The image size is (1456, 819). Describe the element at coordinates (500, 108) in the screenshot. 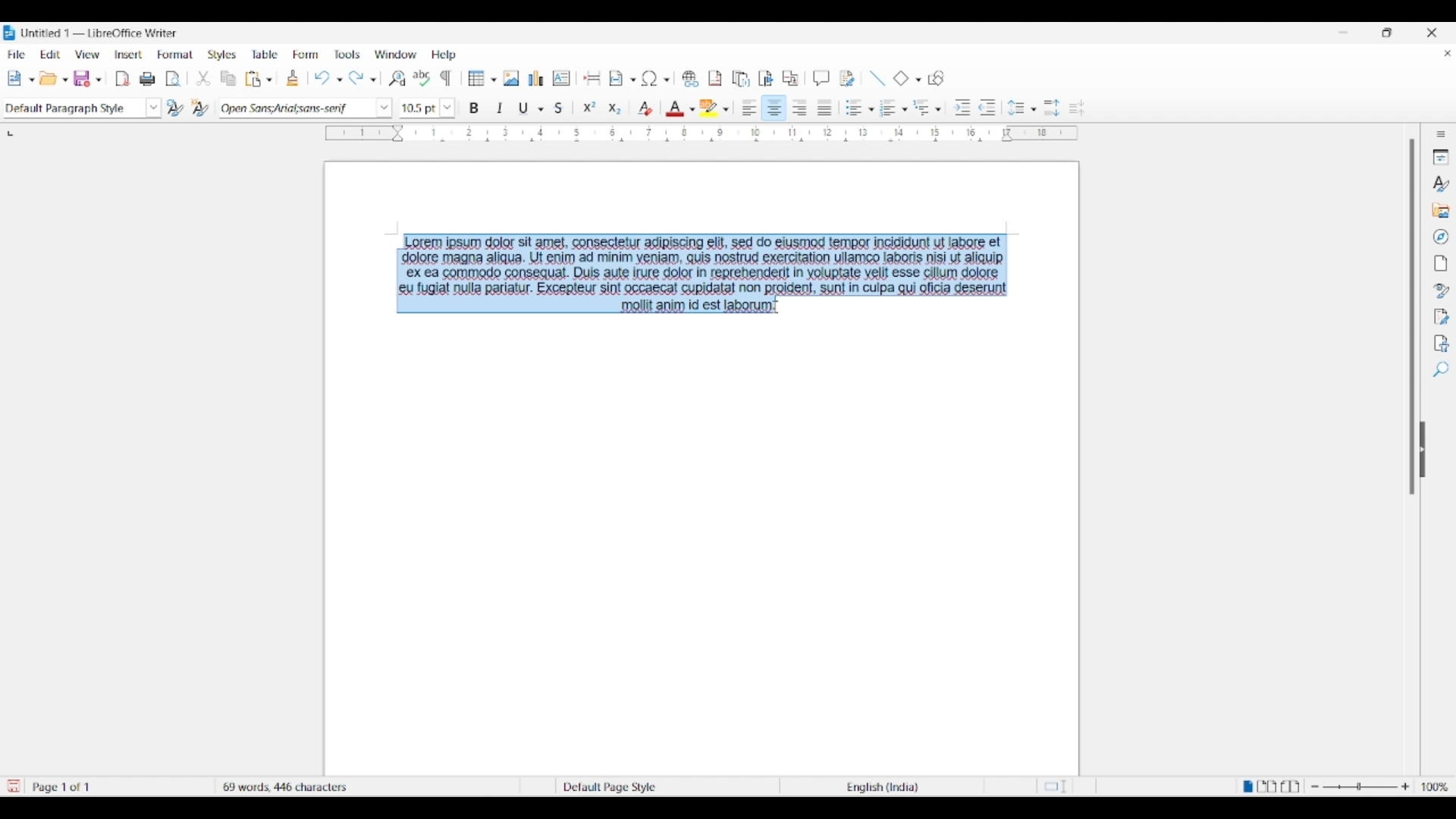

I see `Italic` at that location.